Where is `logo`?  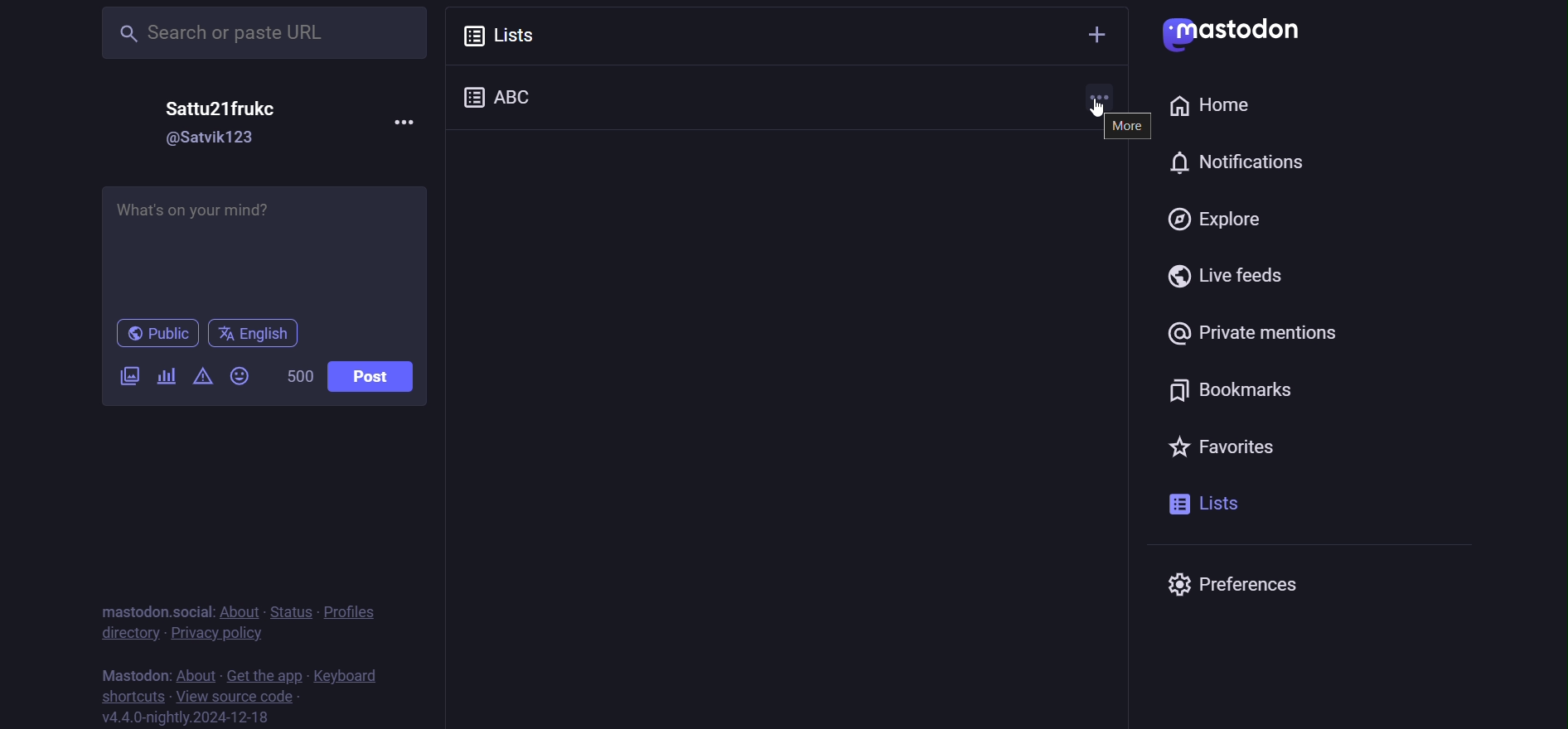 logo is located at coordinates (1234, 33).